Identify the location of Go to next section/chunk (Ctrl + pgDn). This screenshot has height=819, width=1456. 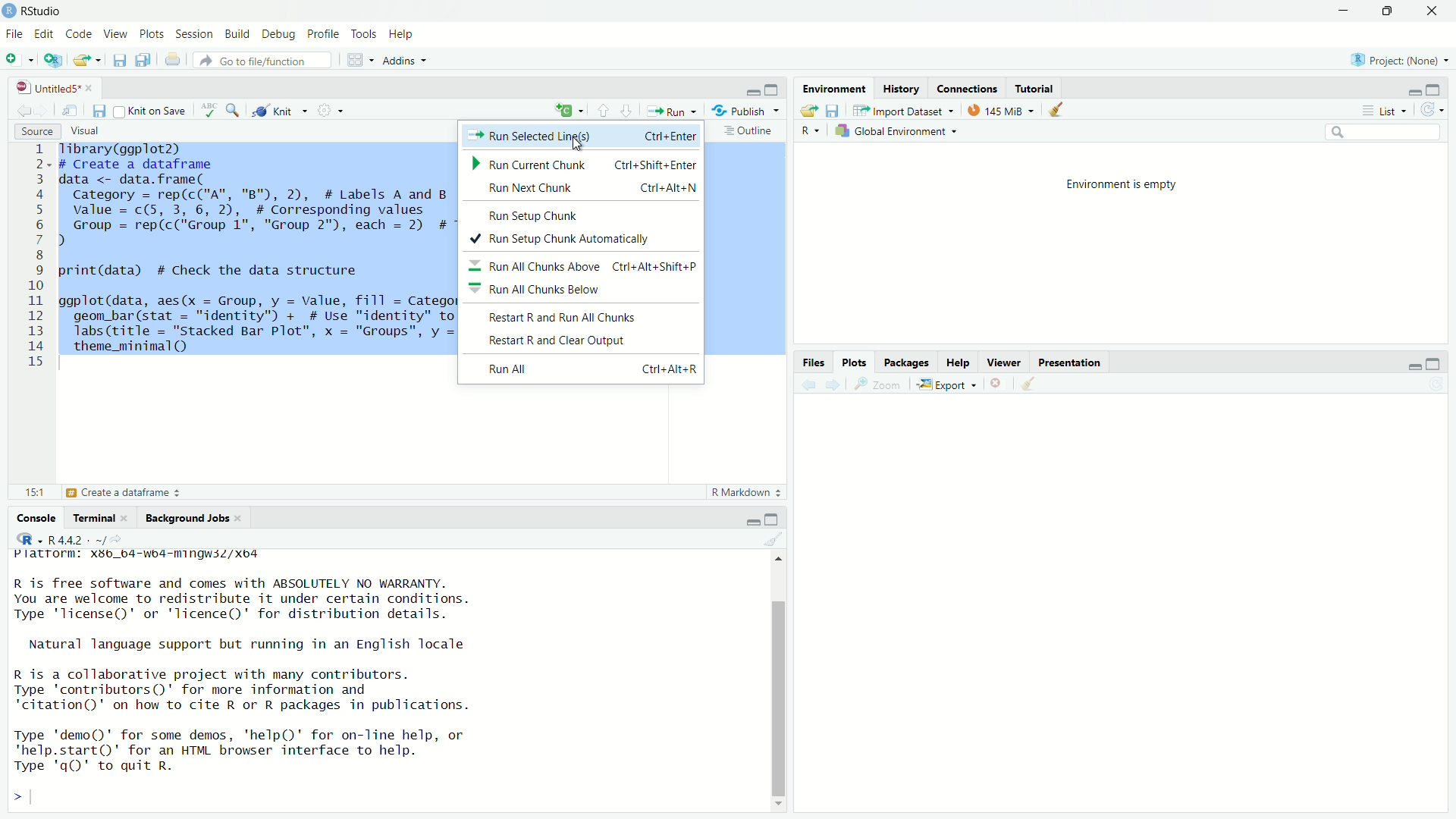
(625, 109).